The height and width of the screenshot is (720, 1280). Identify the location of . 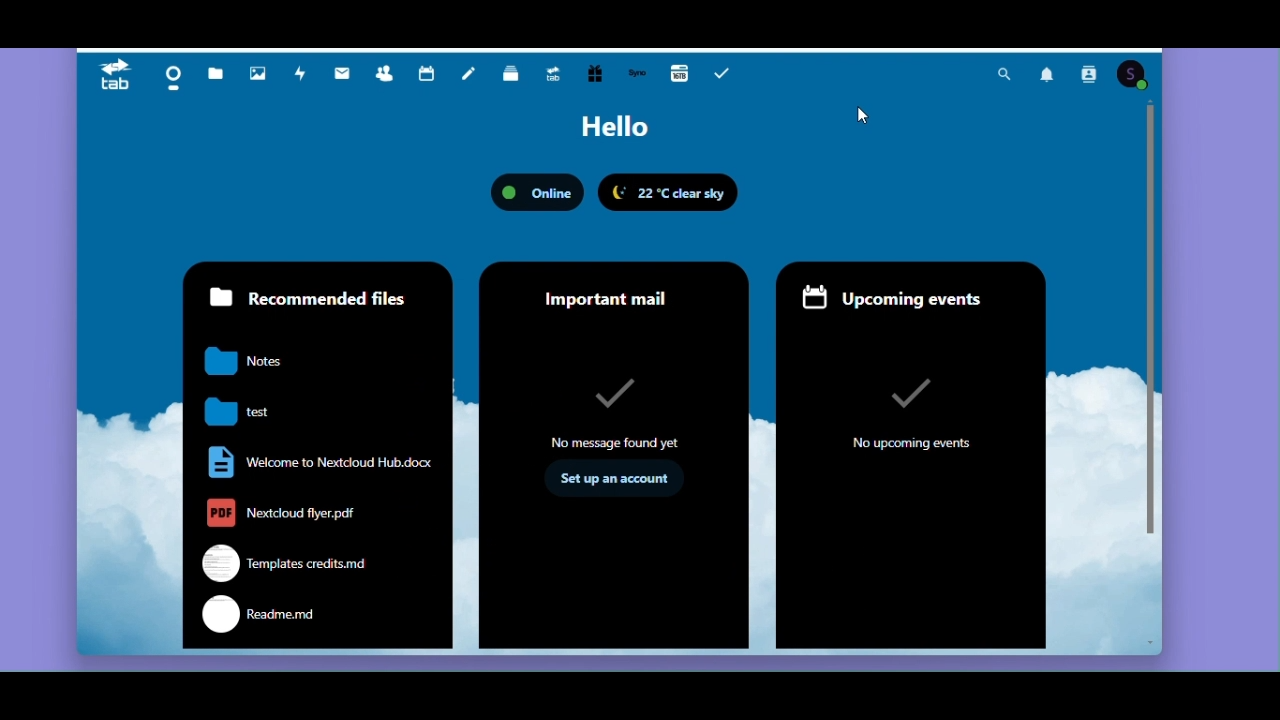
(111, 80).